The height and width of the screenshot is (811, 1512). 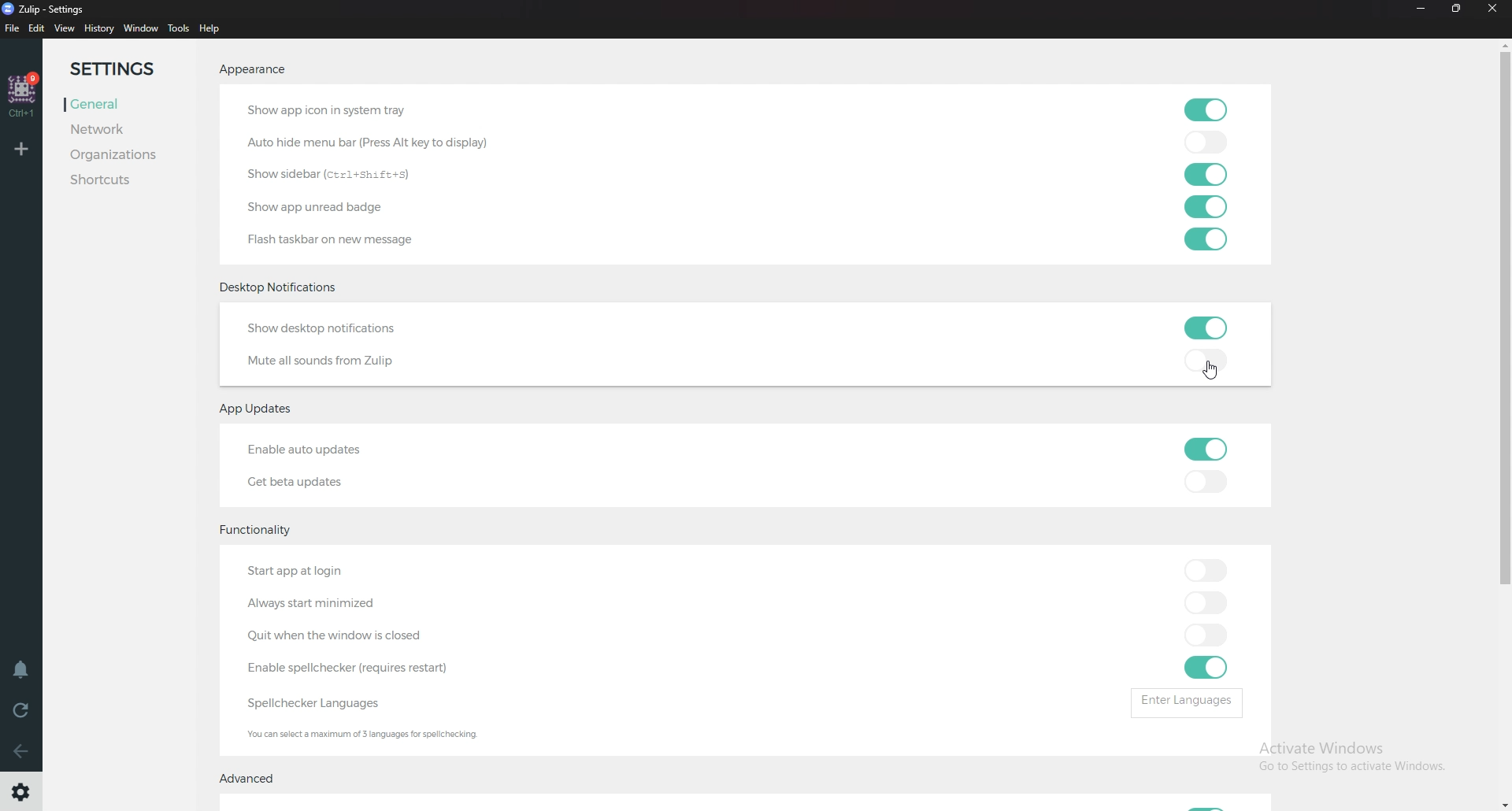 I want to click on Reload, so click(x=22, y=711).